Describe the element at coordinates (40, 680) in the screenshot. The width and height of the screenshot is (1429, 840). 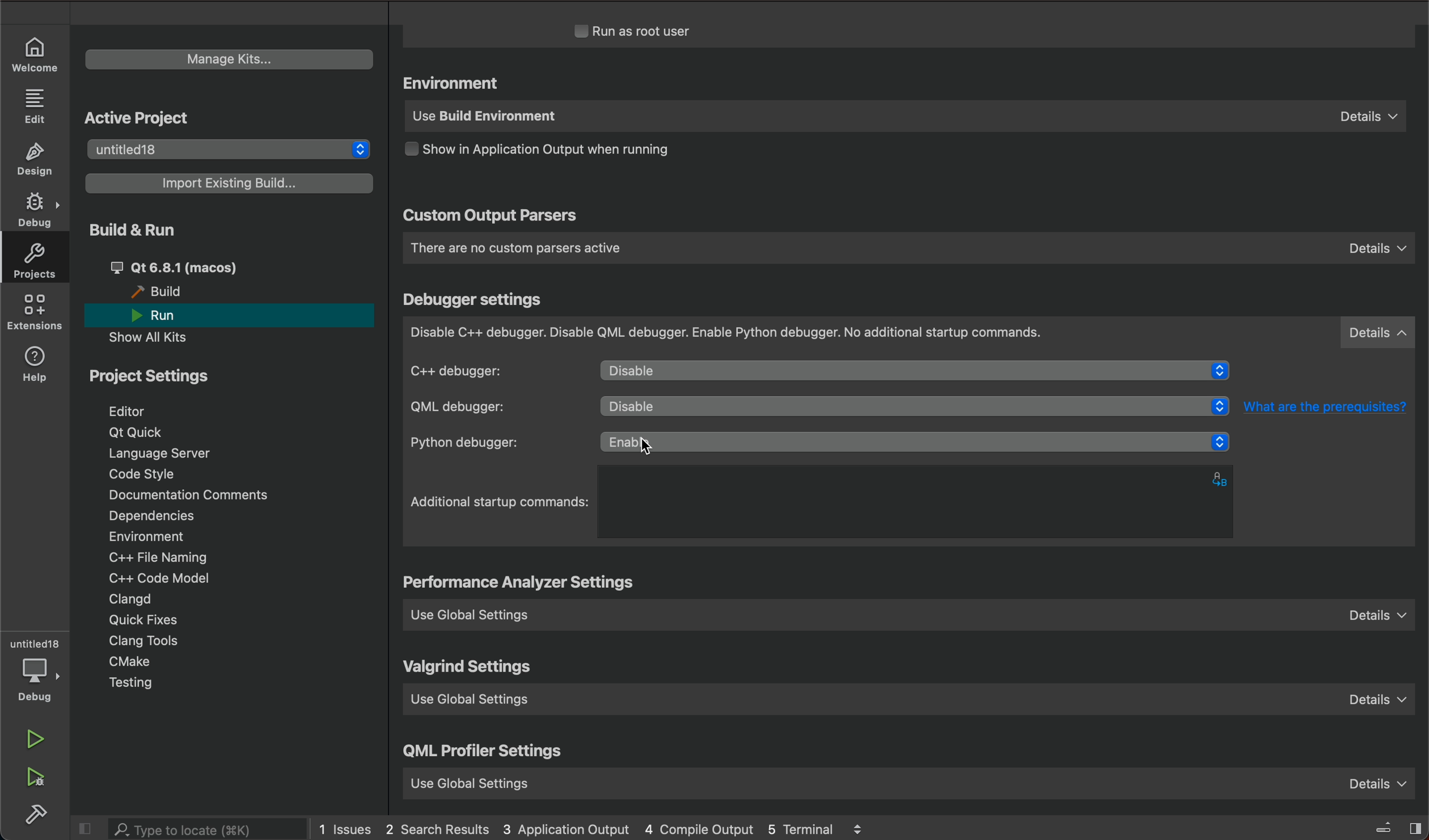
I see `debug` at that location.